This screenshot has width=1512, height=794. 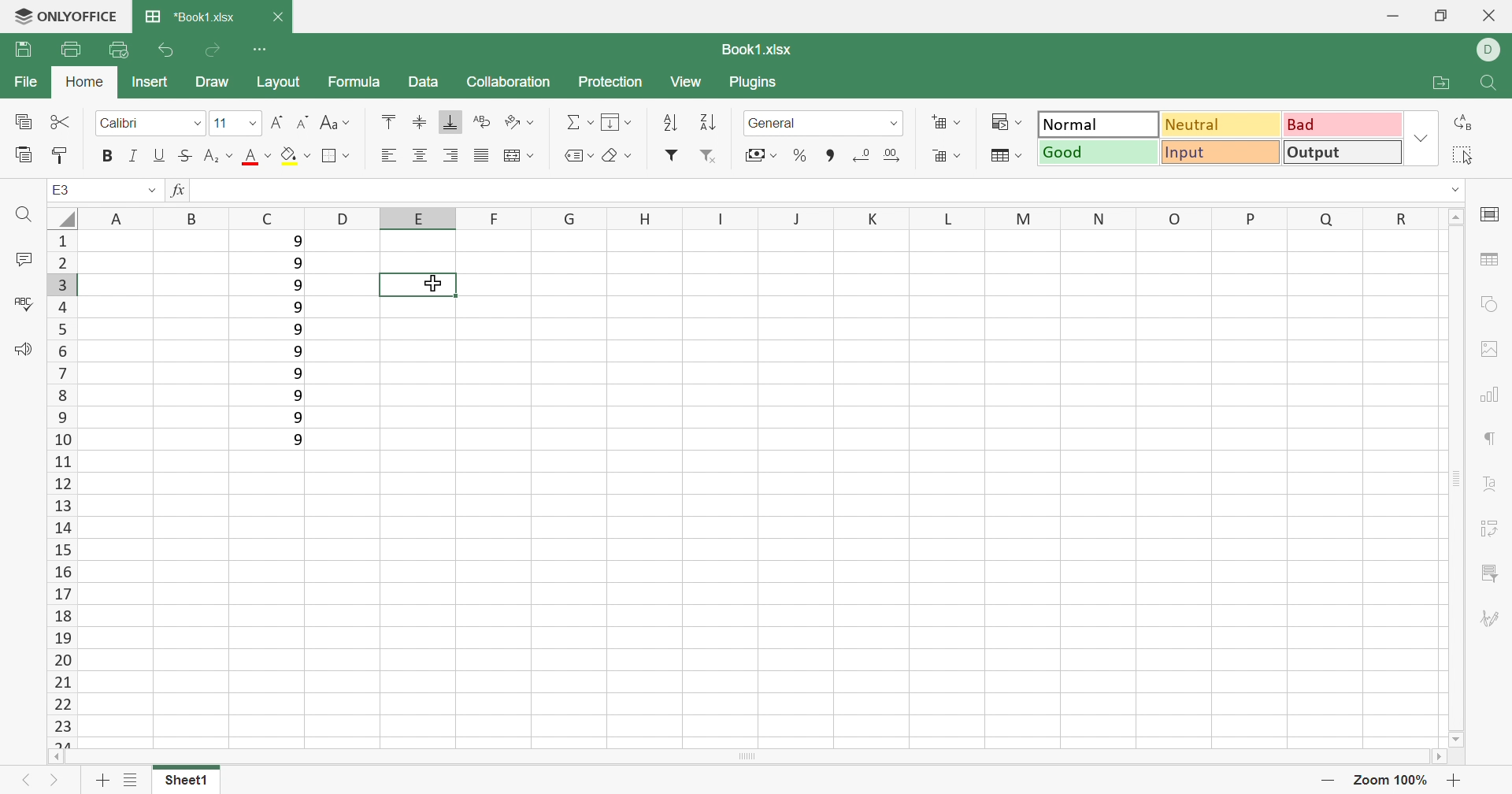 I want to click on 9, so click(x=298, y=351).